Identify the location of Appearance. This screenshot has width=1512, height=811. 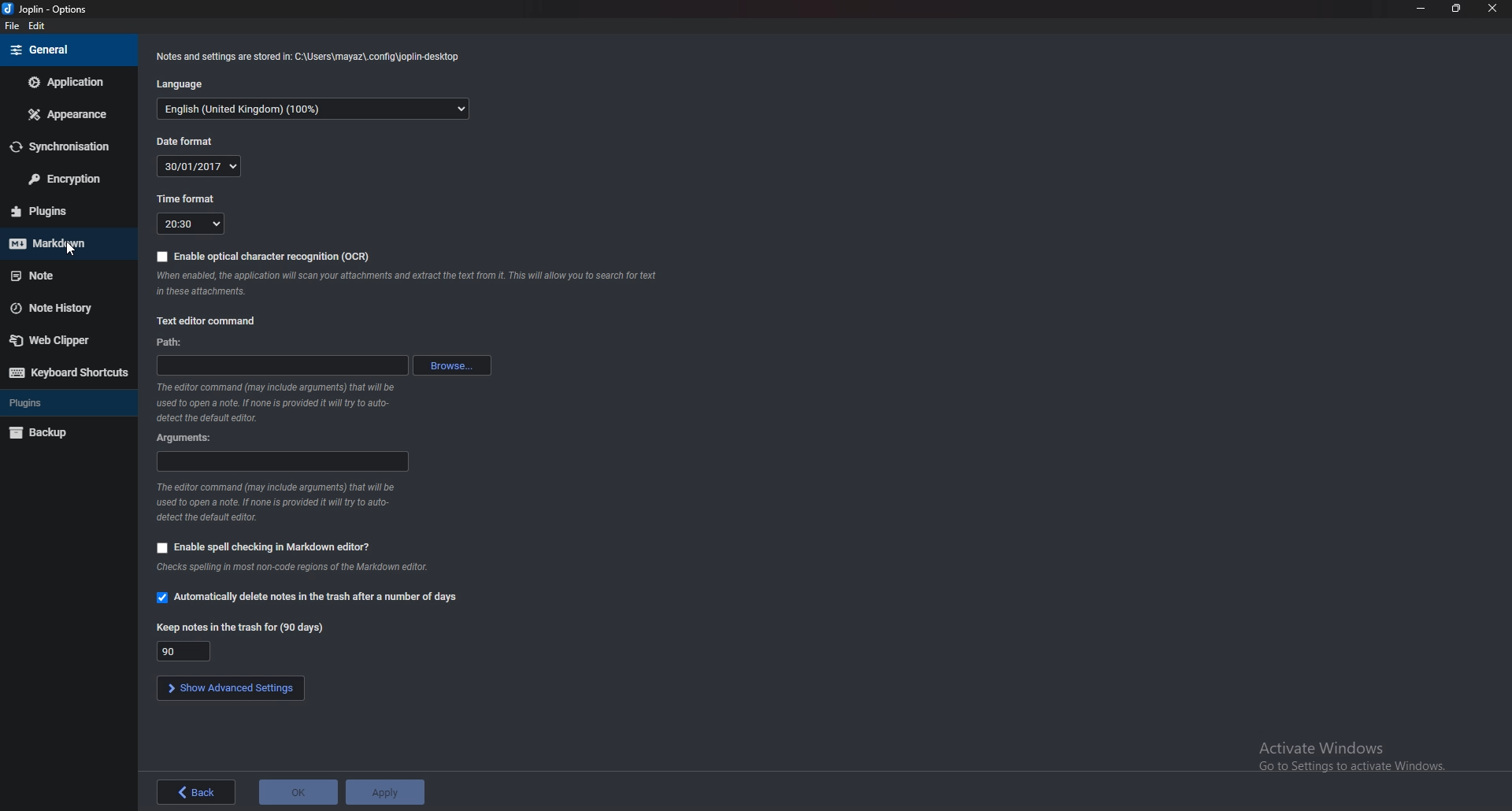
(64, 114).